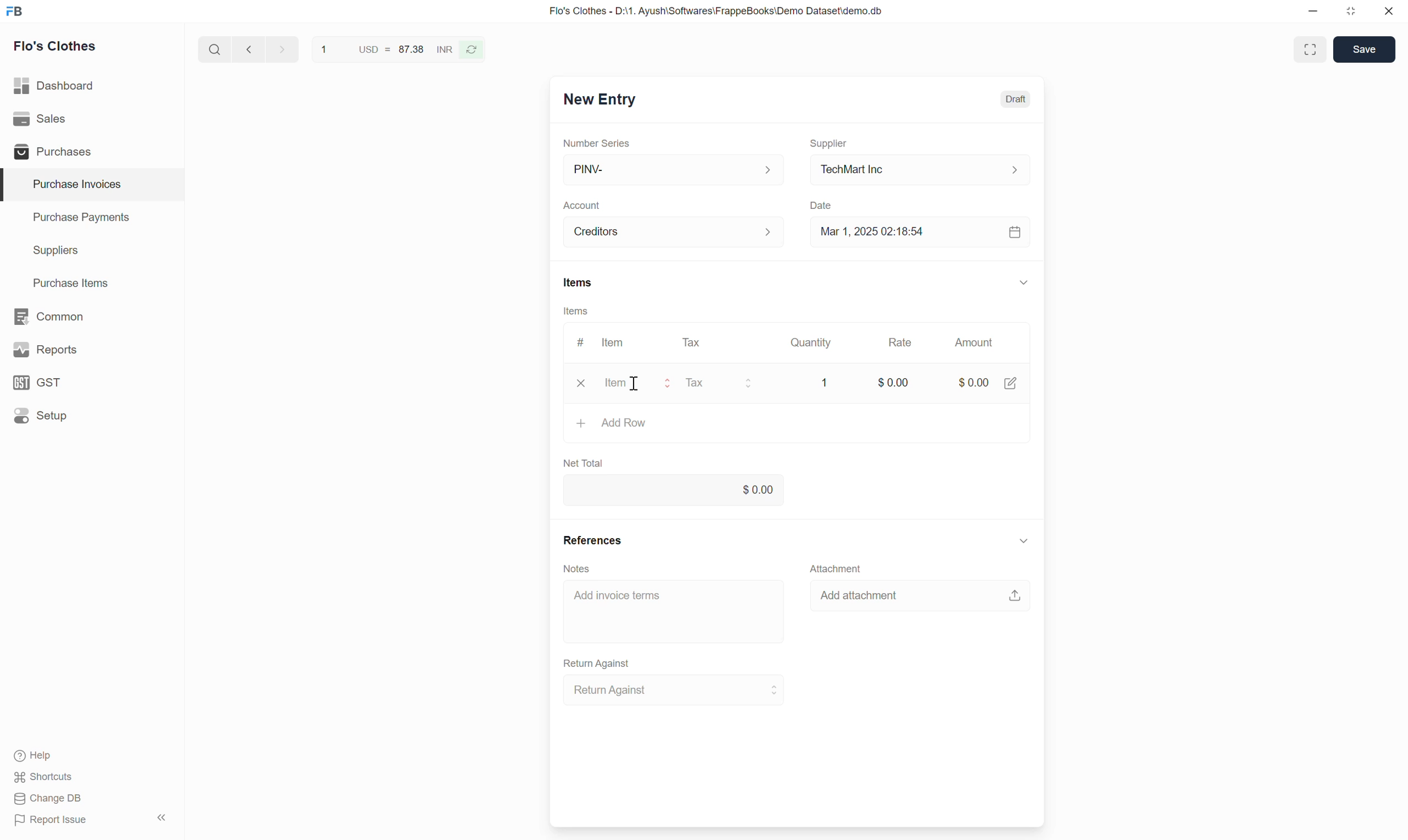 This screenshot has height=840, width=1408. I want to click on Search, so click(215, 49).